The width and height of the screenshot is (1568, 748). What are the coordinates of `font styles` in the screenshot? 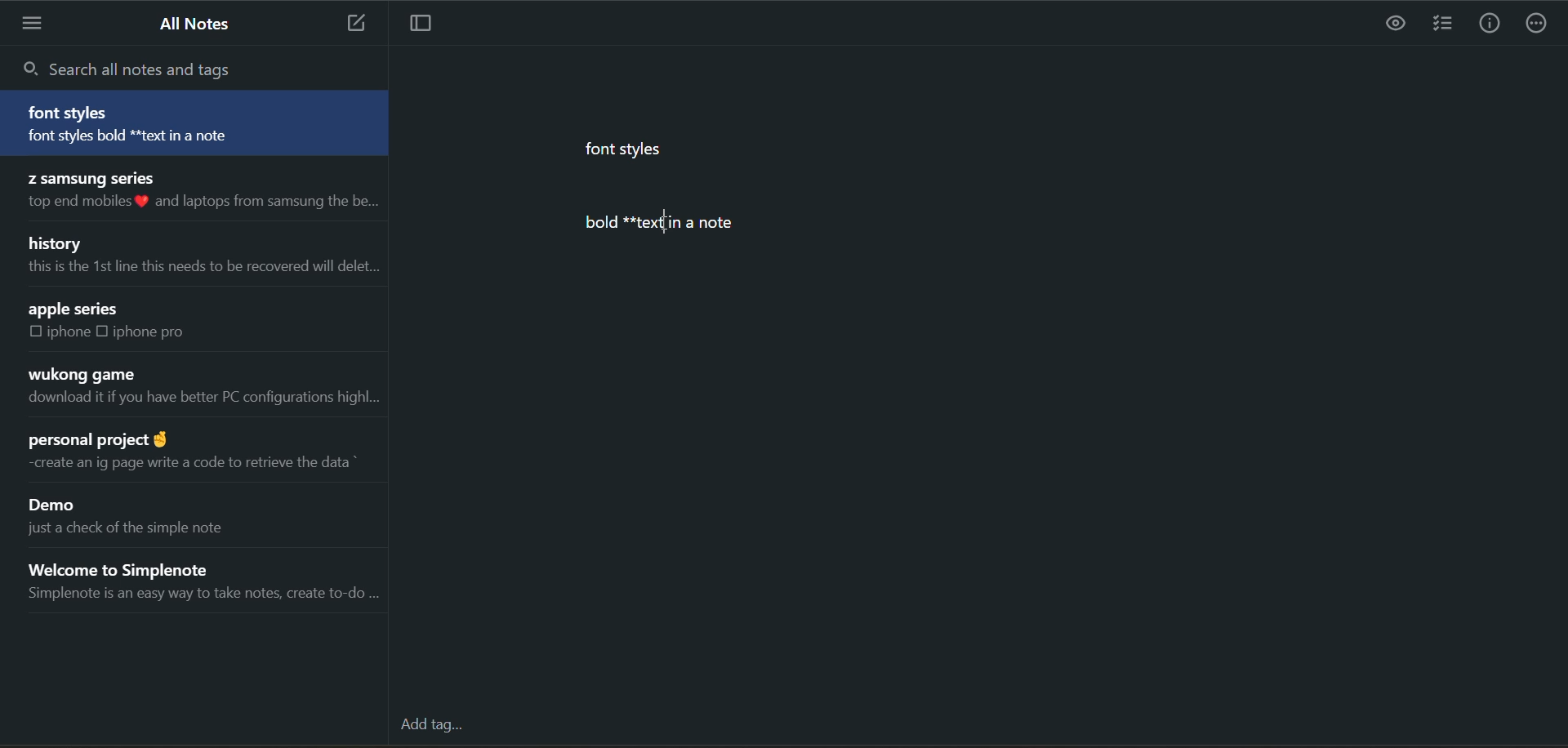 It's located at (629, 151).